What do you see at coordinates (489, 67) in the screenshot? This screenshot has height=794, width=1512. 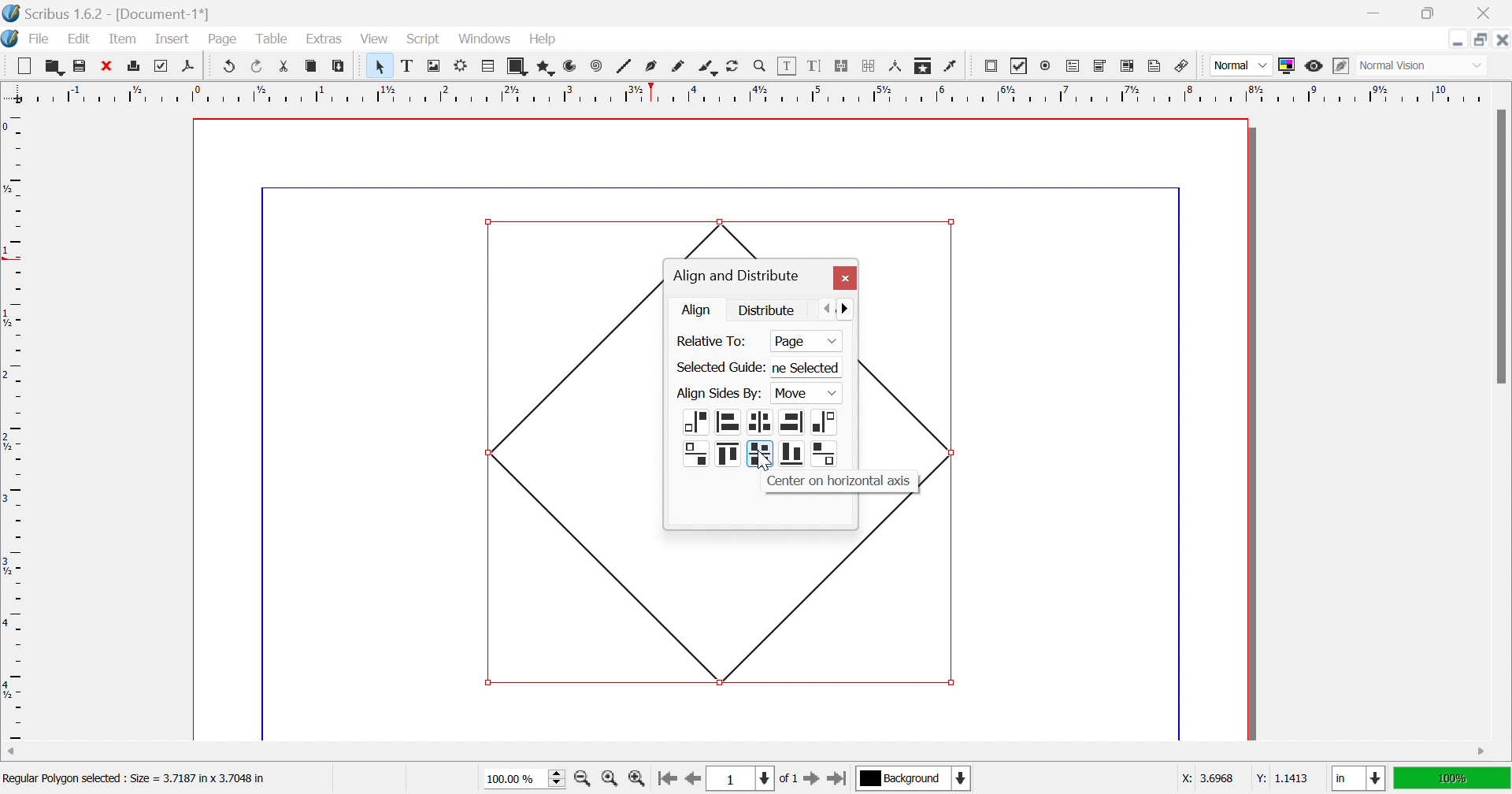 I see `Table` at bounding box center [489, 67].